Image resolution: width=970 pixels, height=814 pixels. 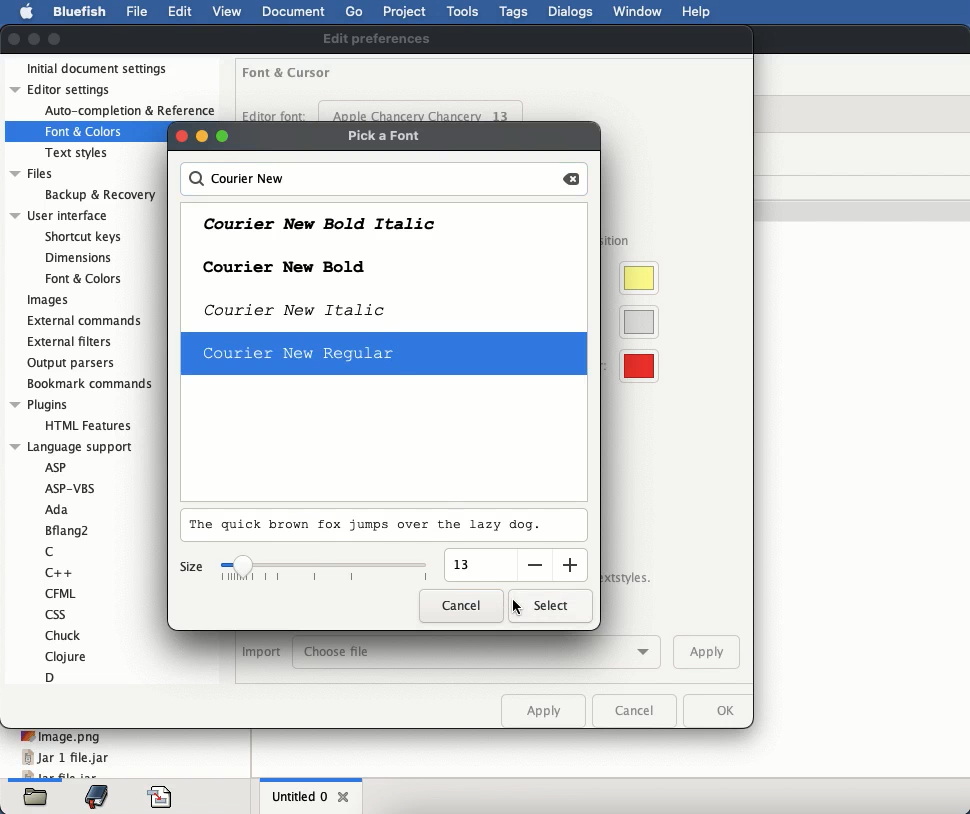 I want to click on font and cursor, so click(x=287, y=71).